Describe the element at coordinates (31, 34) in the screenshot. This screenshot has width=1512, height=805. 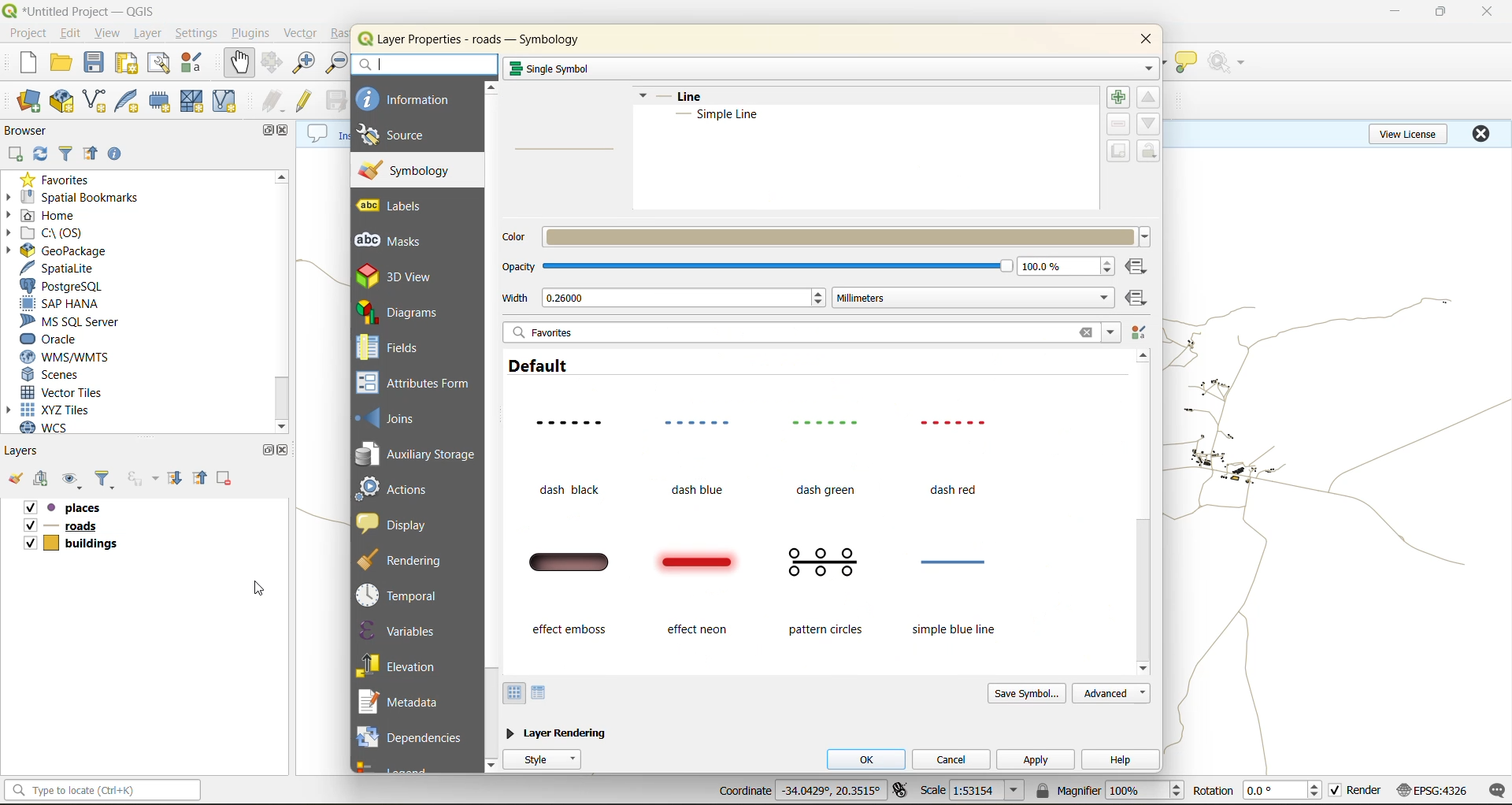
I see `project` at that location.